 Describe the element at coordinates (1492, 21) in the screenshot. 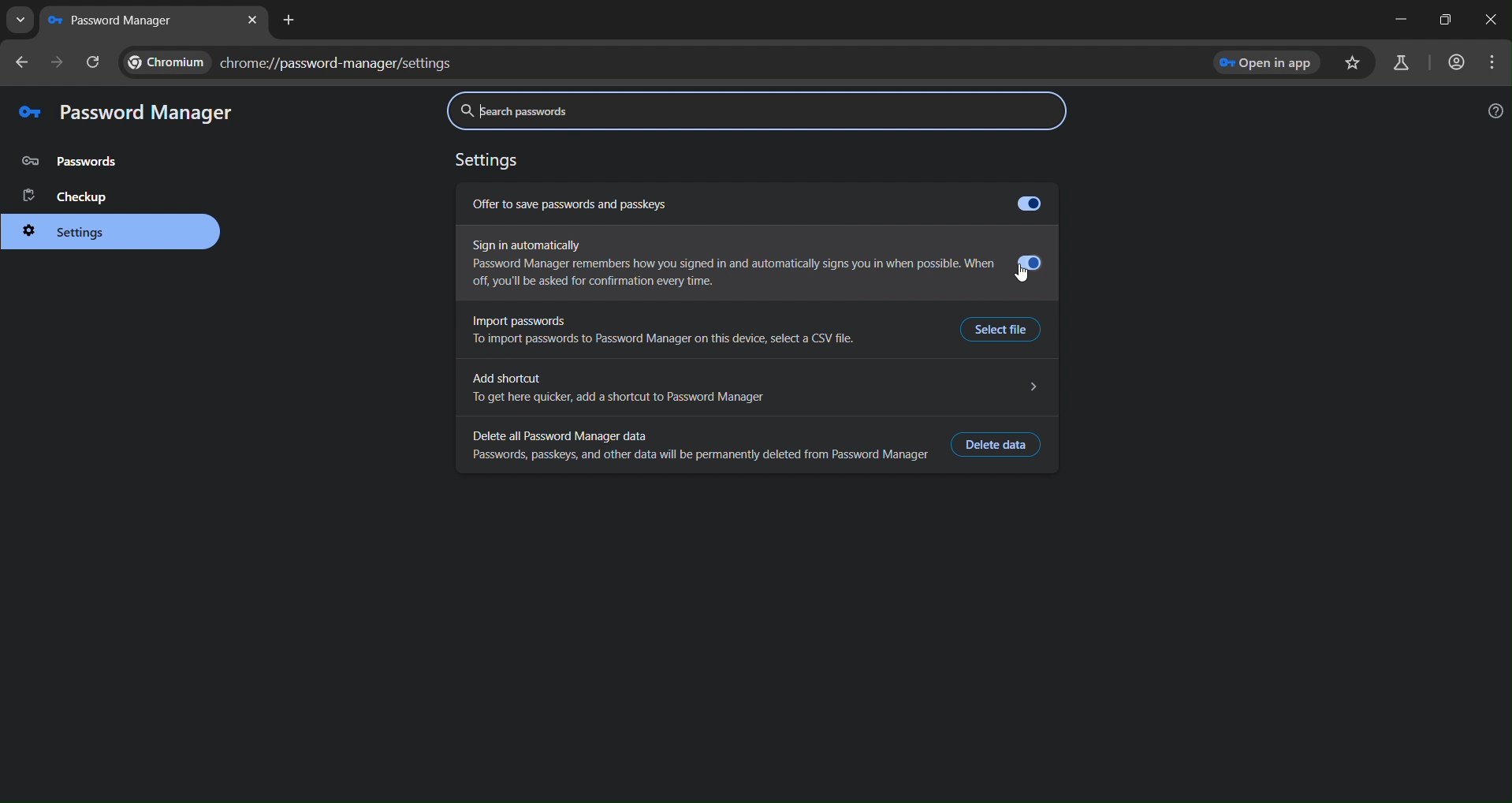

I see `close` at that location.